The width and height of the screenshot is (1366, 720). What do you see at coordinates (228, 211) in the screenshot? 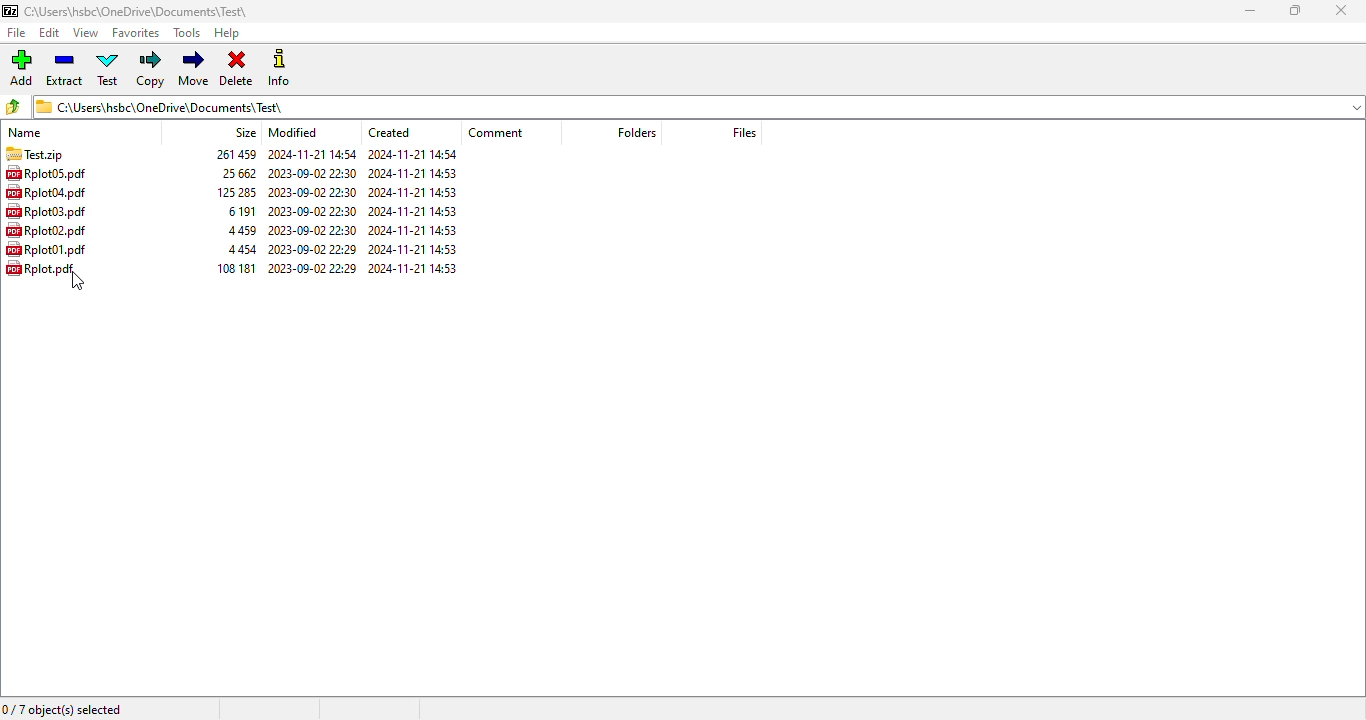
I see `6191` at bounding box center [228, 211].